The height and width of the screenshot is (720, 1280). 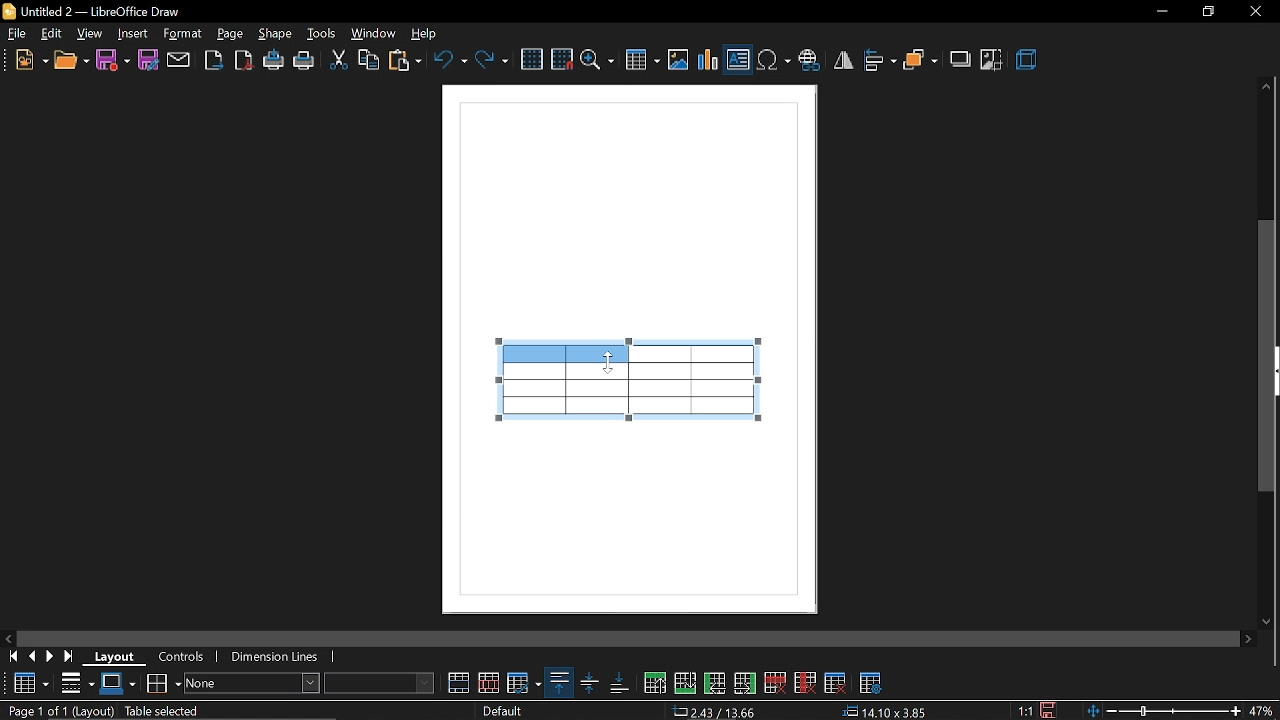 I want to click on insert, so click(x=134, y=34).